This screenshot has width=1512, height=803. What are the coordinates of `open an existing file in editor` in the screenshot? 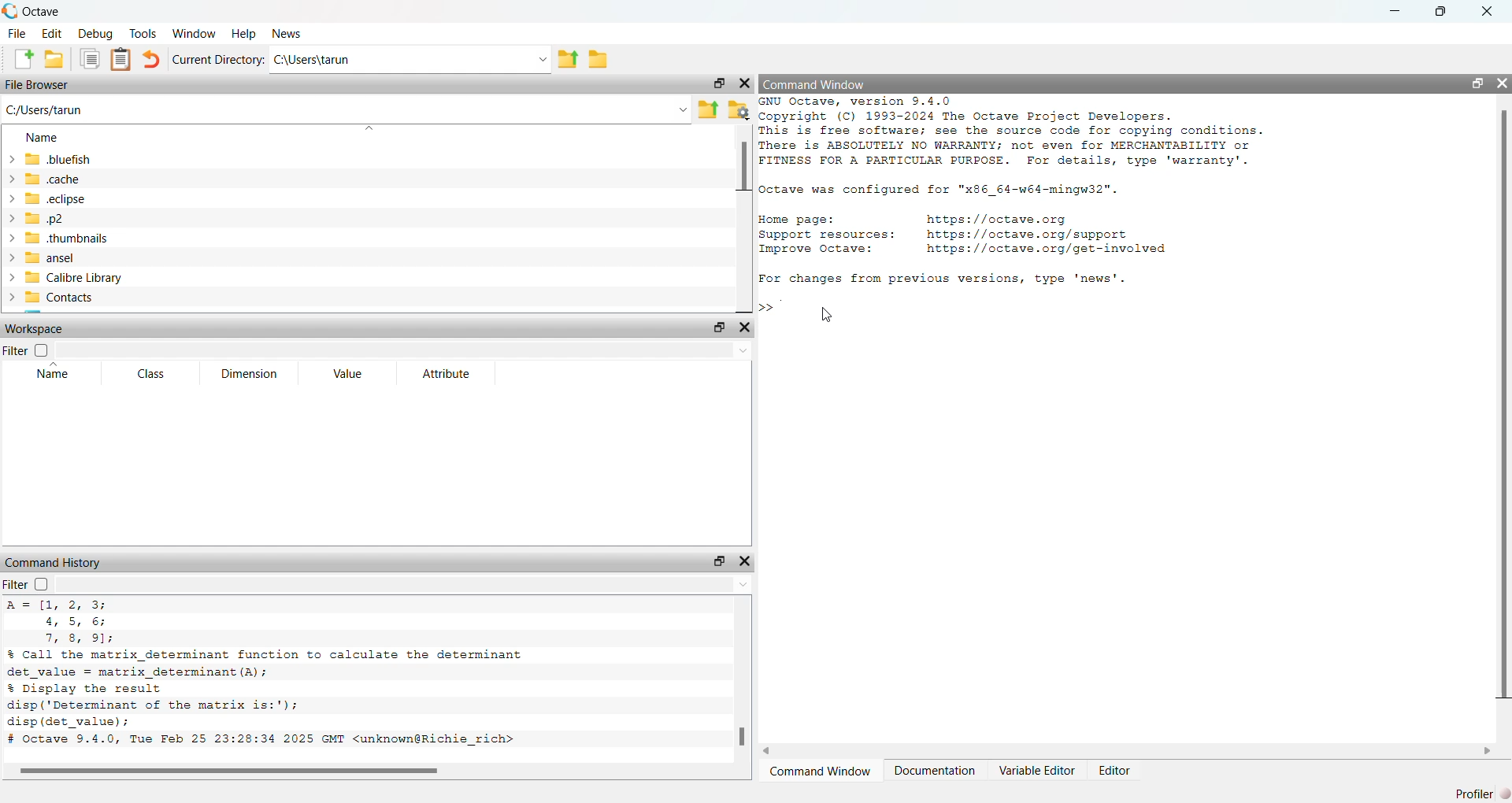 It's located at (55, 60).